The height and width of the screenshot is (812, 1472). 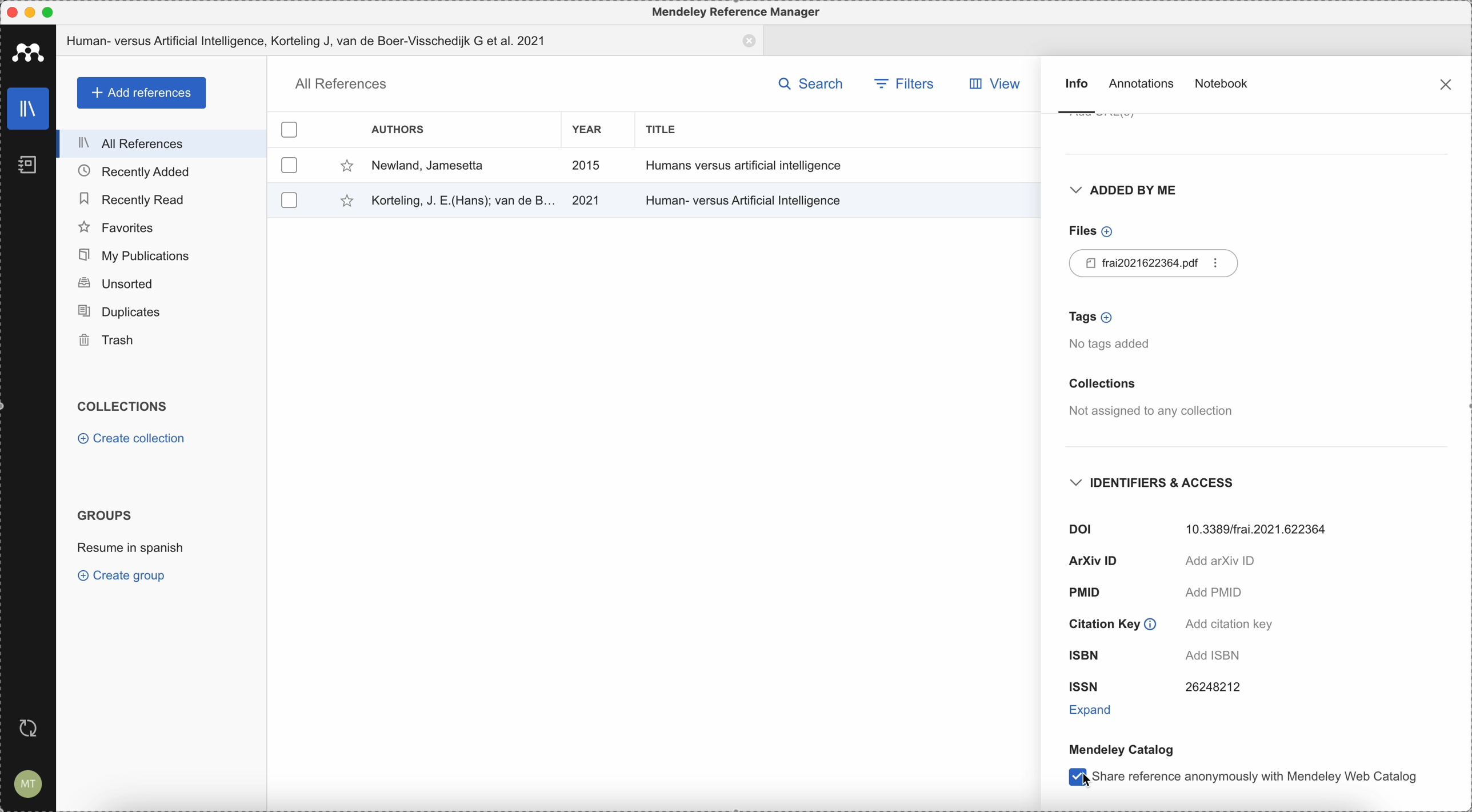 What do you see at coordinates (29, 783) in the screenshot?
I see `account setting` at bounding box center [29, 783].